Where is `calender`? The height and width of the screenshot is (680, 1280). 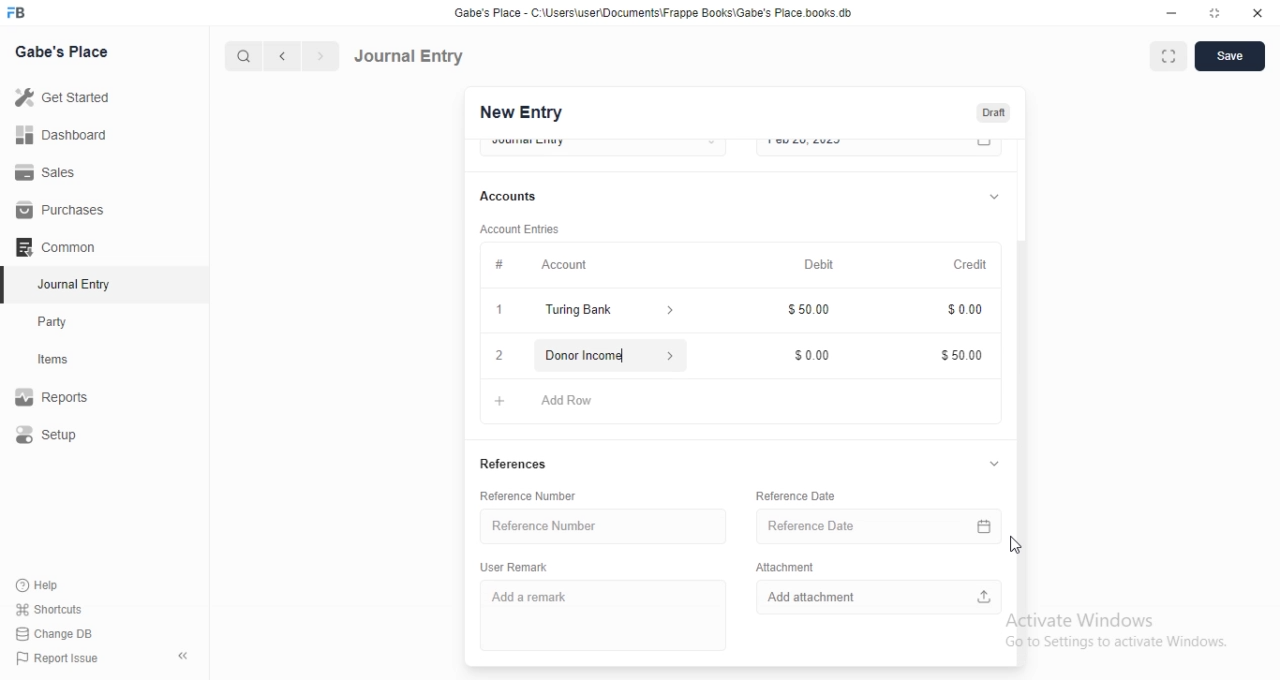
calender is located at coordinates (985, 147).